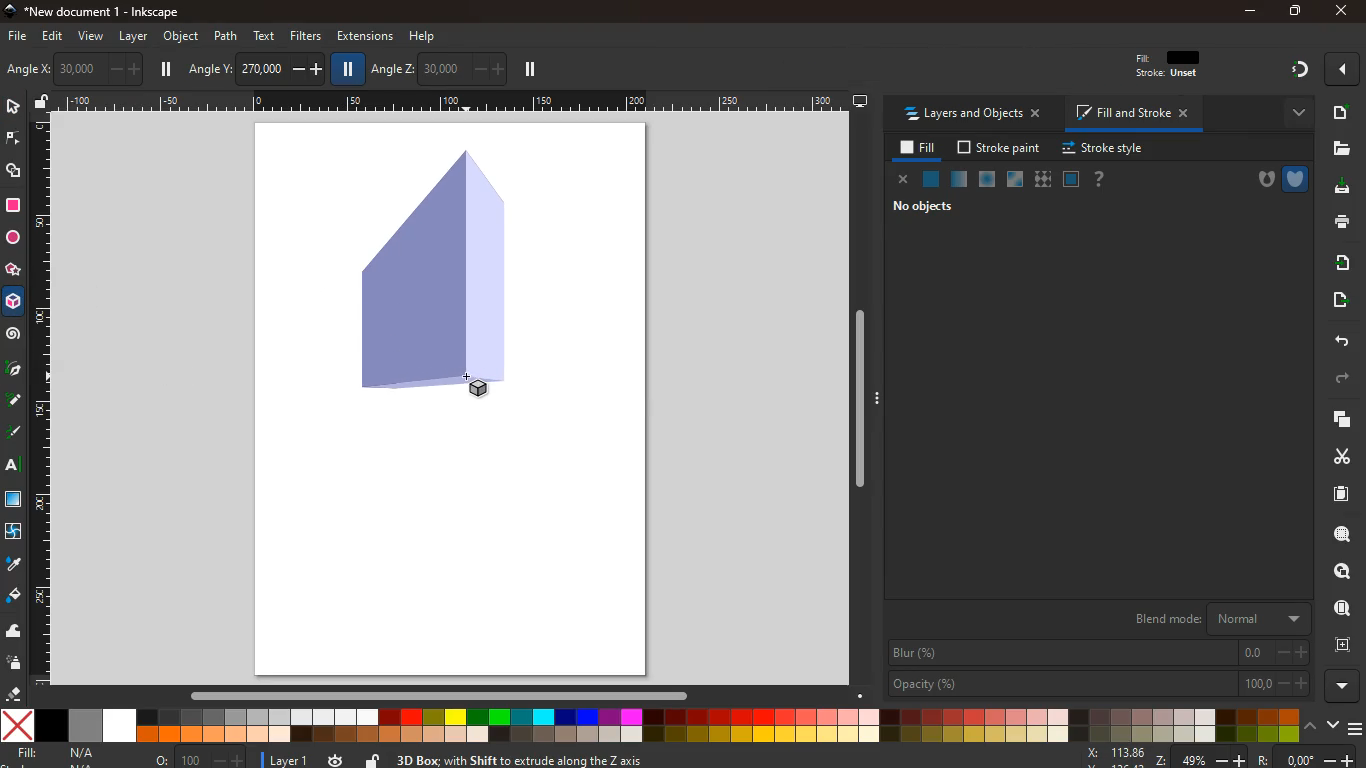  Describe the element at coordinates (1338, 536) in the screenshot. I see `search` at that location.